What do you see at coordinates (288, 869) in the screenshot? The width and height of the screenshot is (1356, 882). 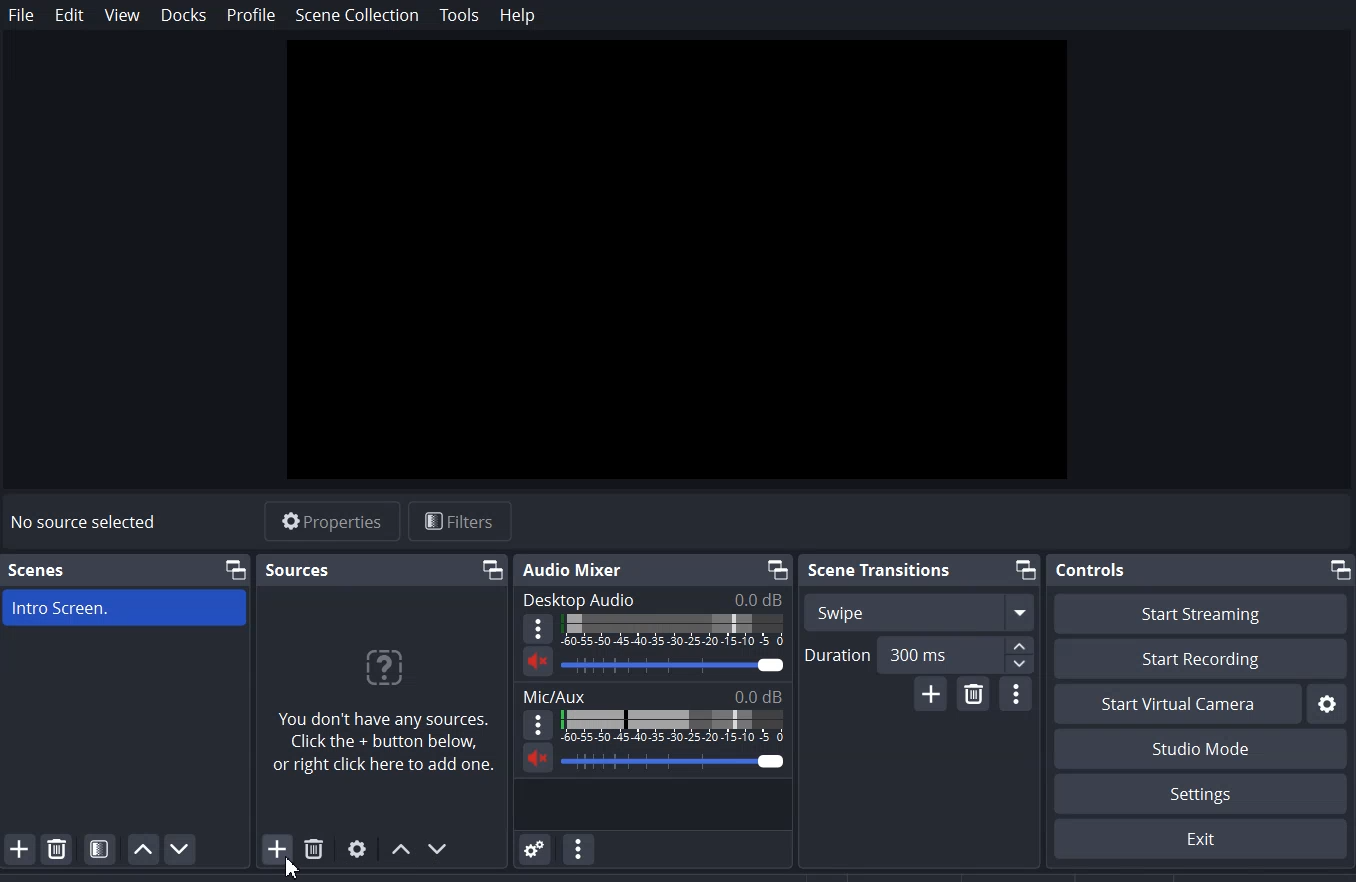 I see `Cursor` at bounding box center [288, 869].